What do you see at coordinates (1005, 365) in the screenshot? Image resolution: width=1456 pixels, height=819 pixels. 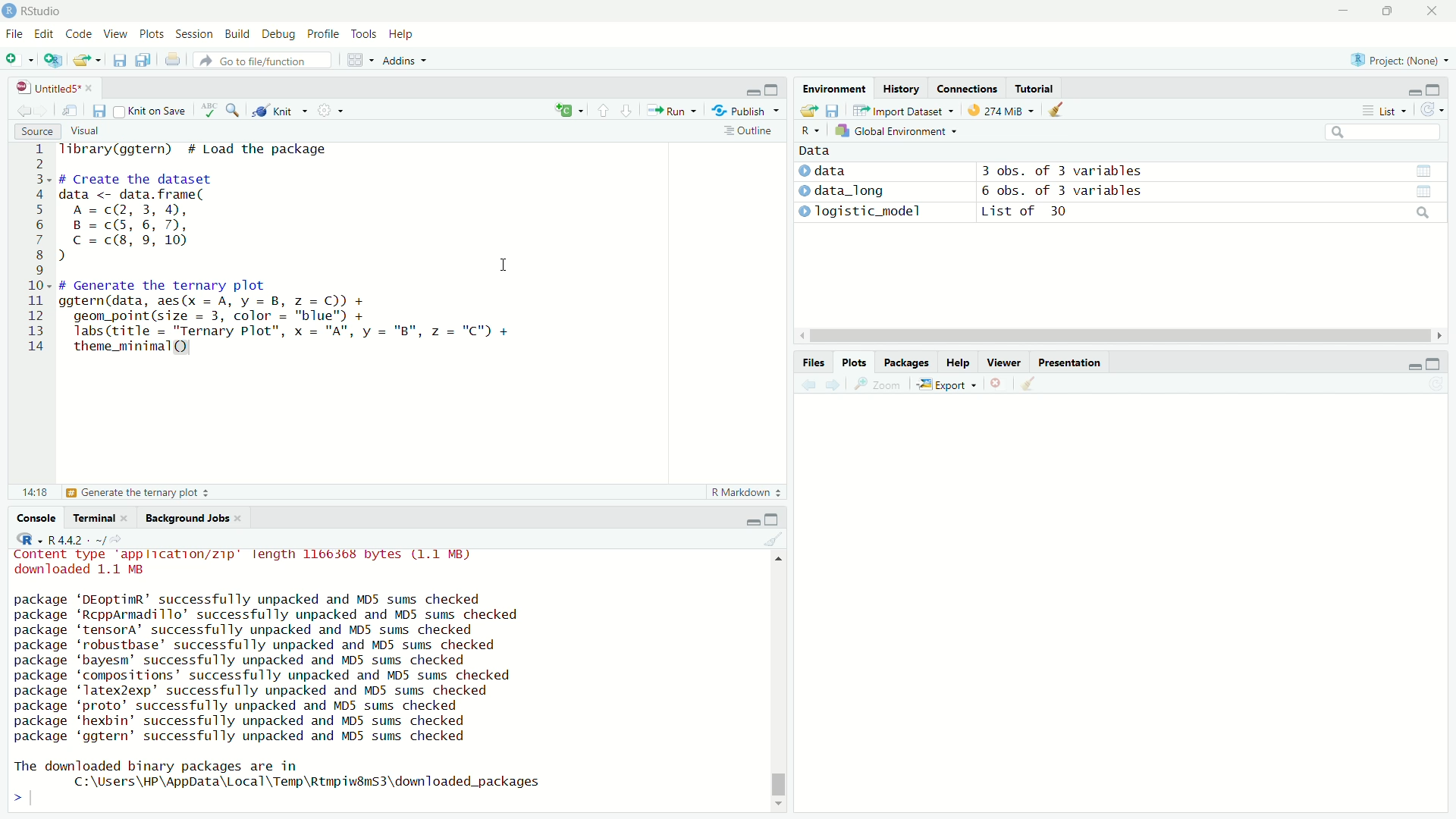 I see `Viewer` at bounding box center [1005, 365].